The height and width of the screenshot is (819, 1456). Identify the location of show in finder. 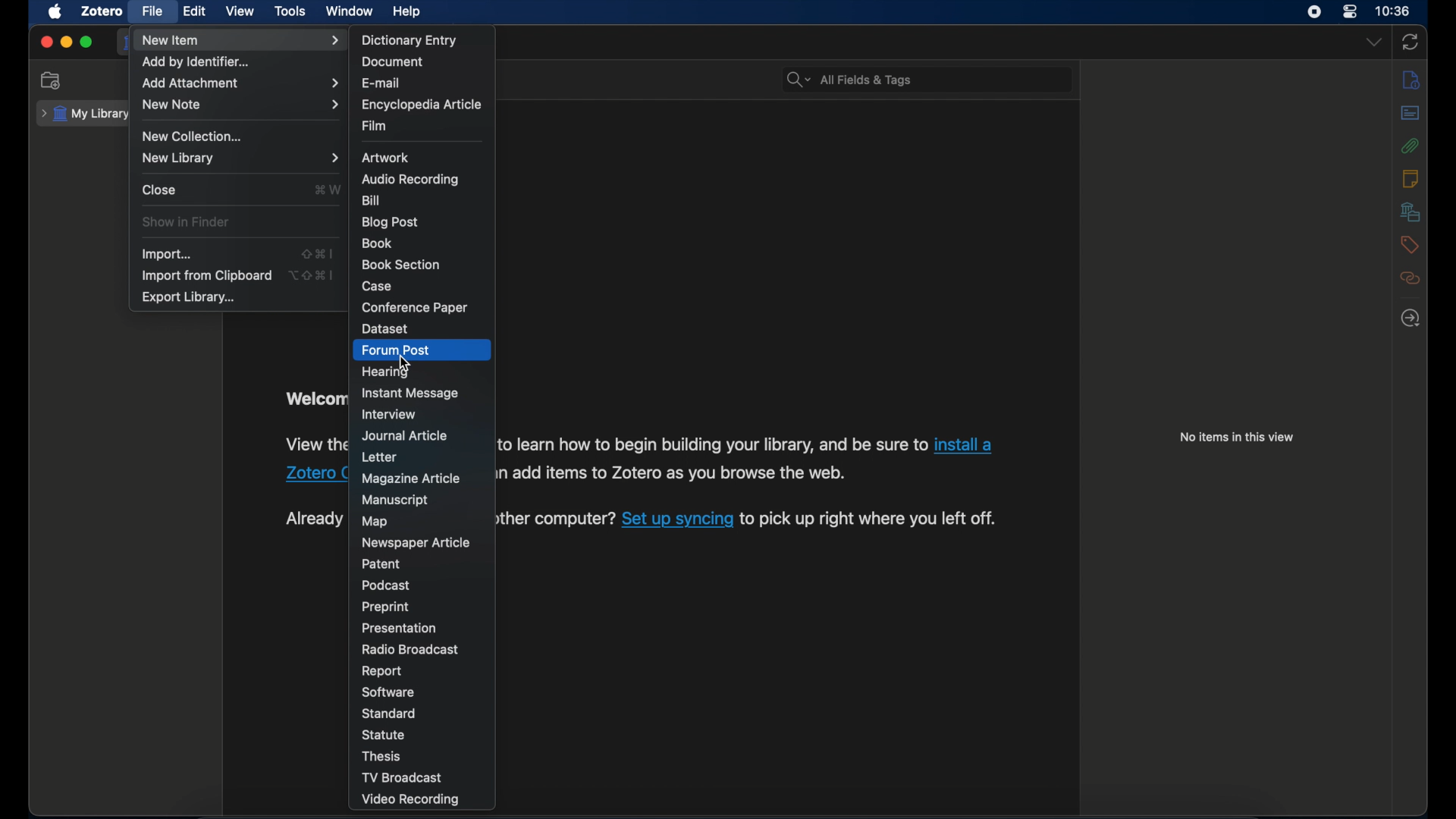
(187, 221).